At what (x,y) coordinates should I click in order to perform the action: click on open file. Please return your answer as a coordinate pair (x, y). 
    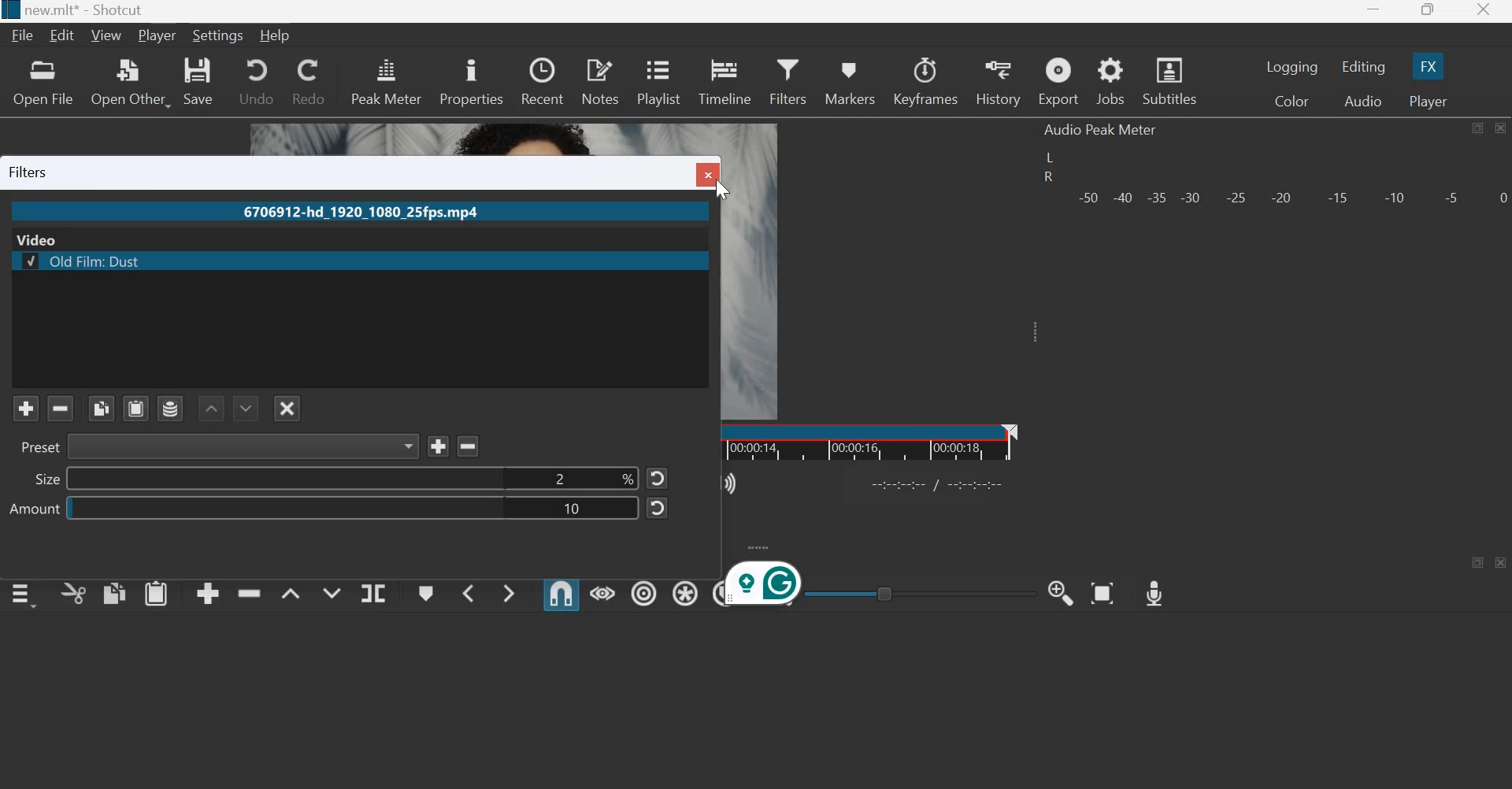
    Looking at the image, I should click on (42, 82).